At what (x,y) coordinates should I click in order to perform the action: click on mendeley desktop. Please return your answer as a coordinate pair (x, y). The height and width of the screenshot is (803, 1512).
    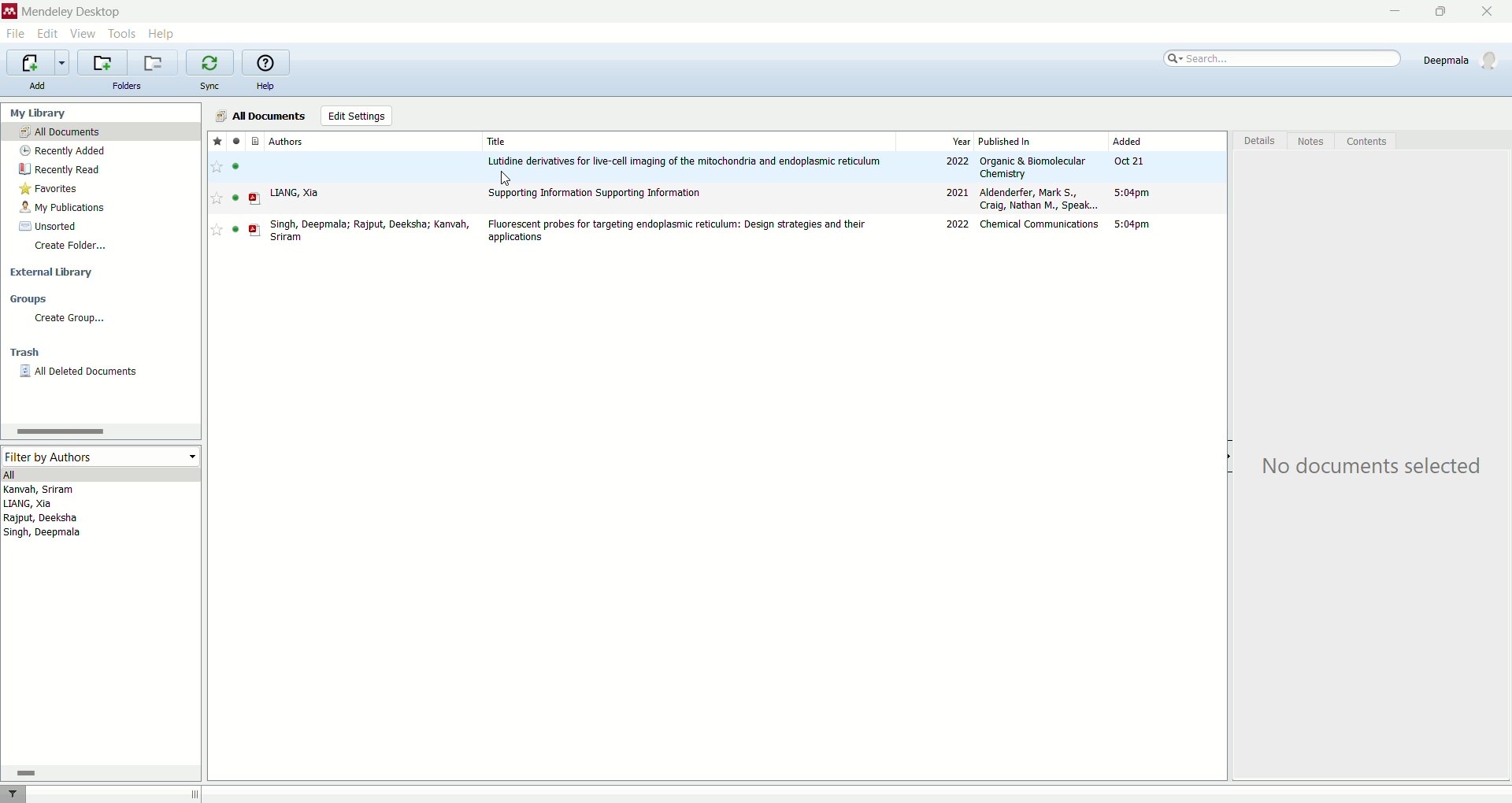
    Looking at the image, I should click on (69, 12).